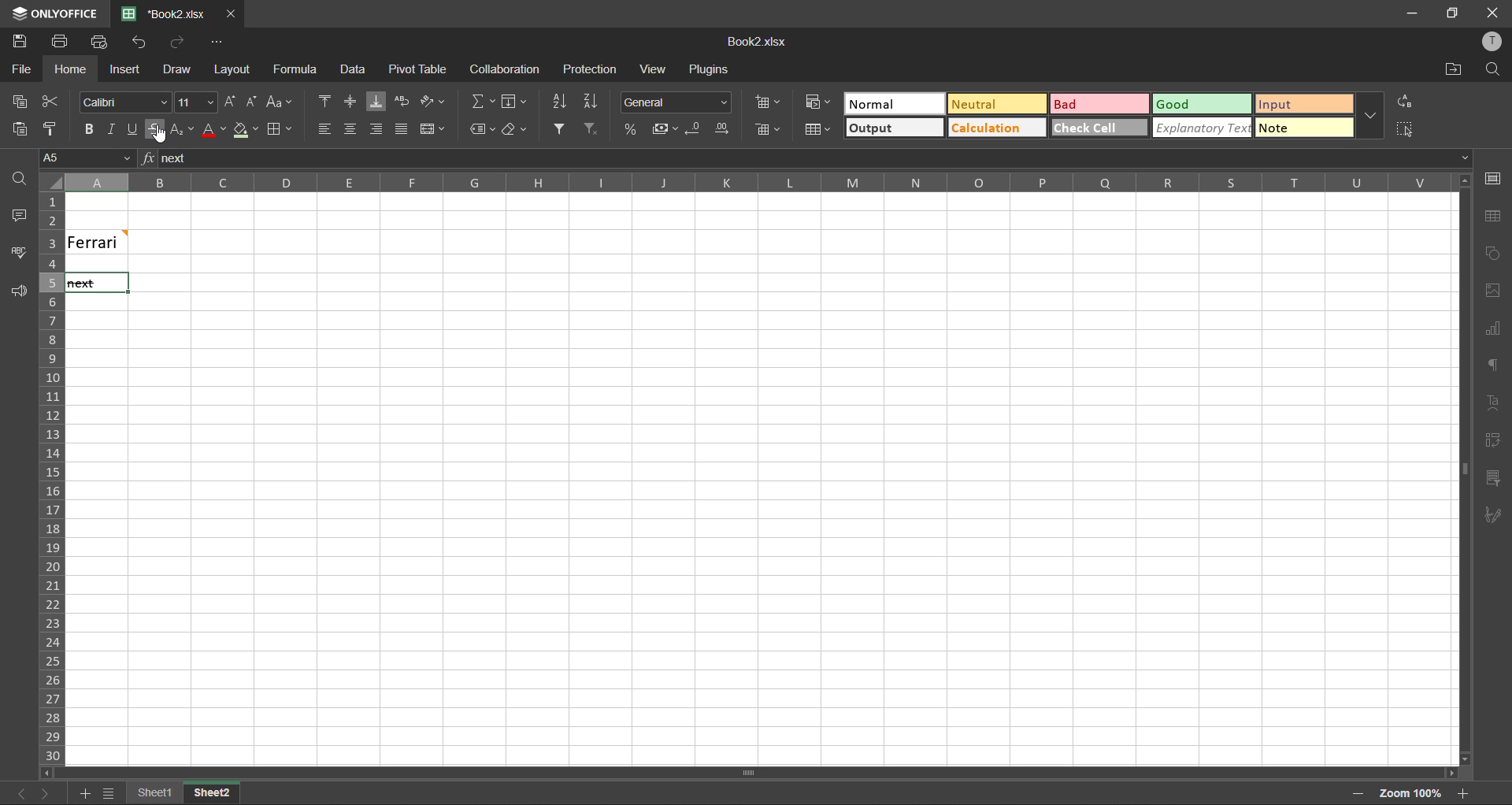  Describe the element at coordinates (95, 242) in the screenshot. I see `Ferrari` at that location.